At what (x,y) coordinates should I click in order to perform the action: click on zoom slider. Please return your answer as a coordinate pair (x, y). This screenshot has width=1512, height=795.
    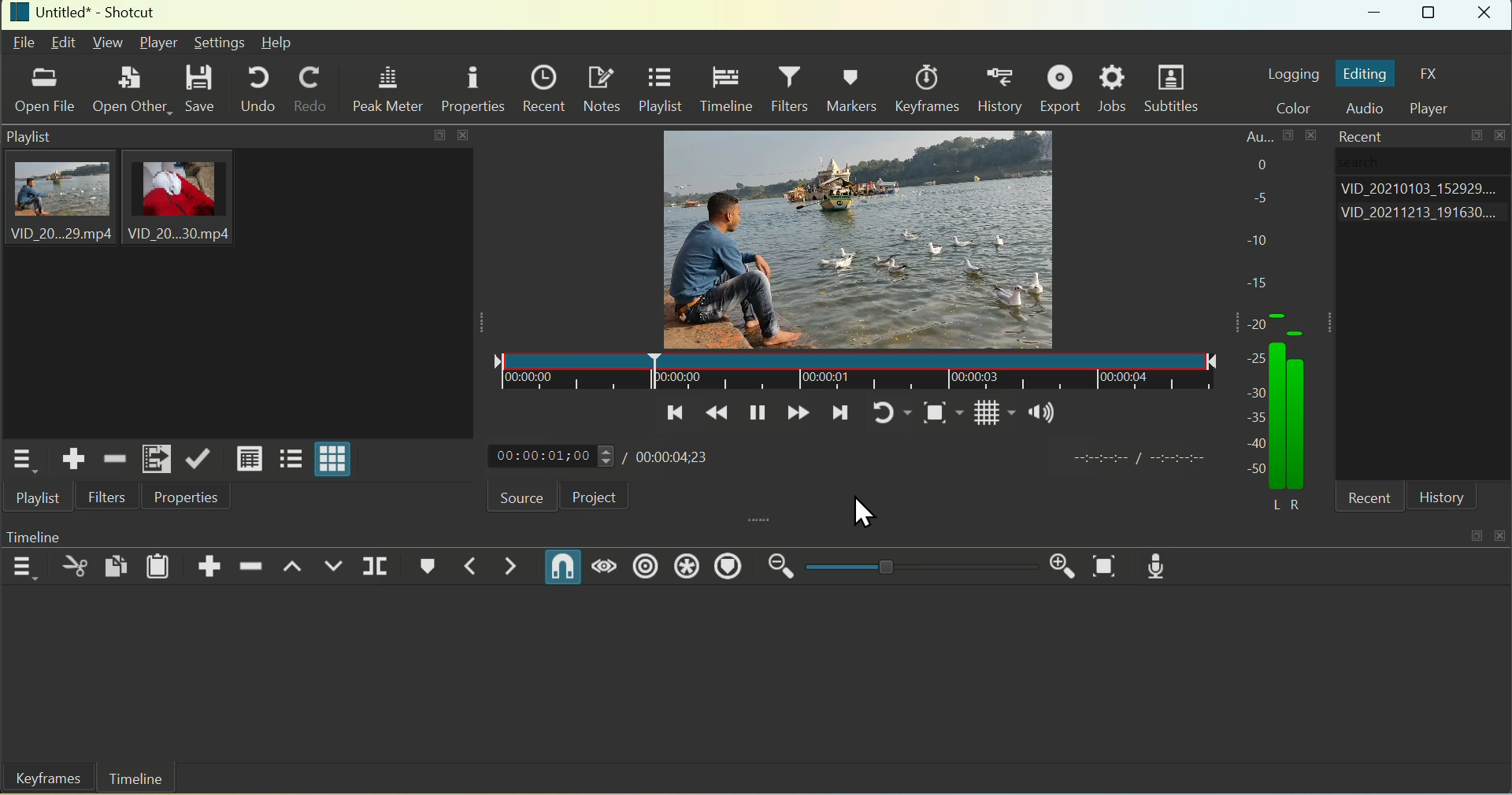
    Looking at the image, I should click on (918, 568).